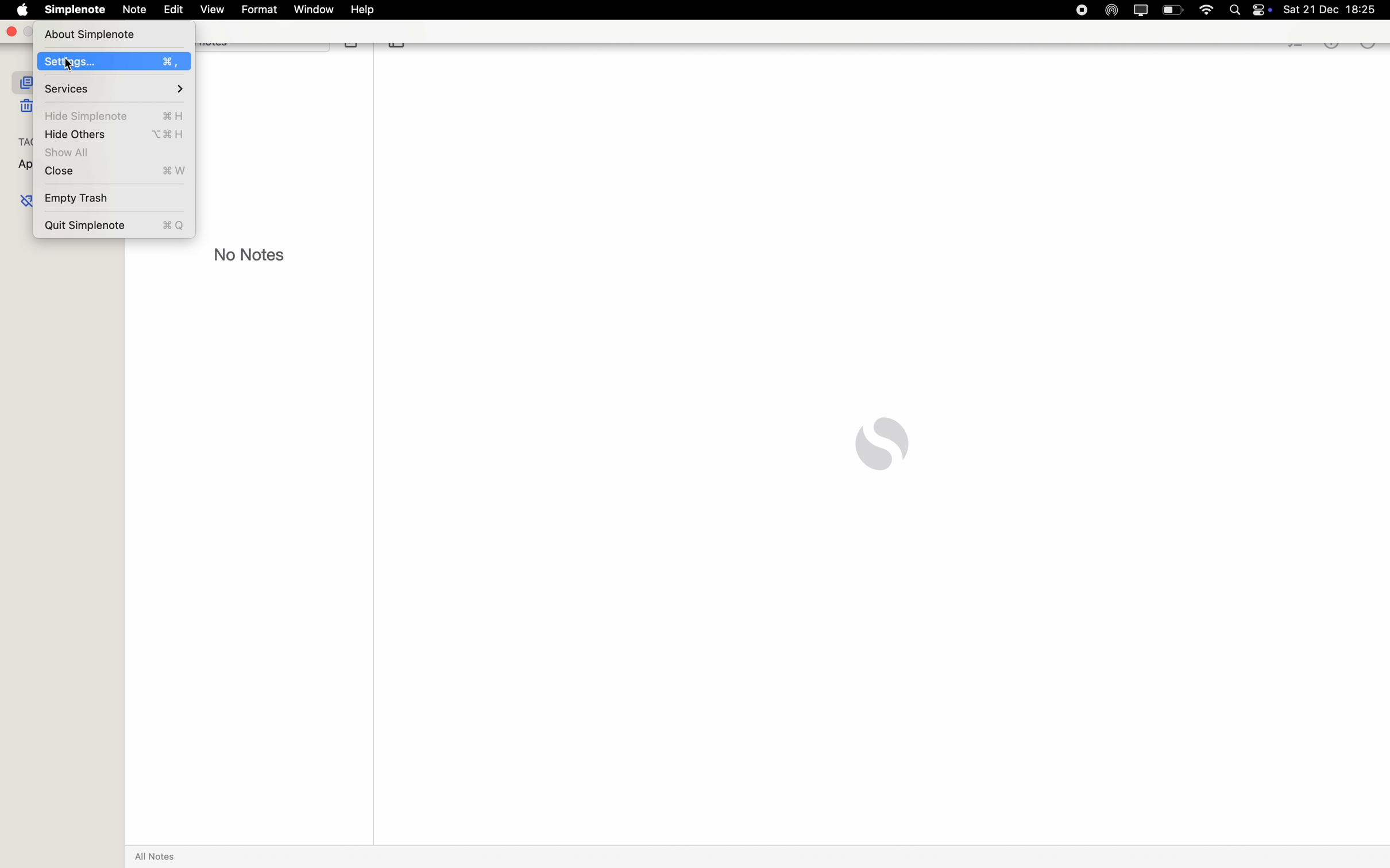 This screenshot has width=1390, height=868. What do you see at coordinates (1233, 11) in the screenshot?
I see `Spotlight search` at bounding box center [1233, 11].